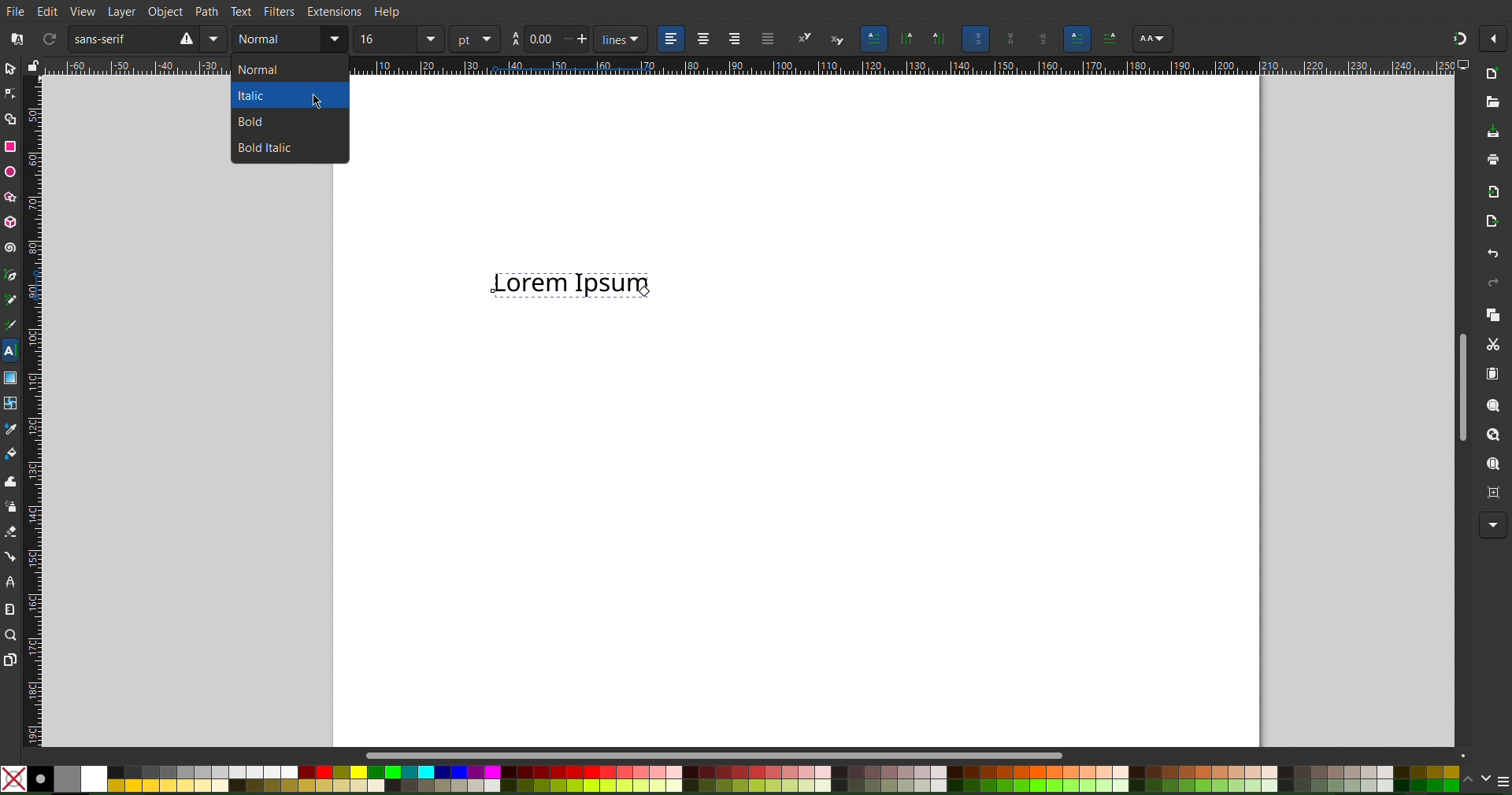 The height and width of the screenshot is (795, 1512). What do you see at coordinates (875, 39) in the screenshot?
I see `Horizontal Text` at bounding box center [875, 39].